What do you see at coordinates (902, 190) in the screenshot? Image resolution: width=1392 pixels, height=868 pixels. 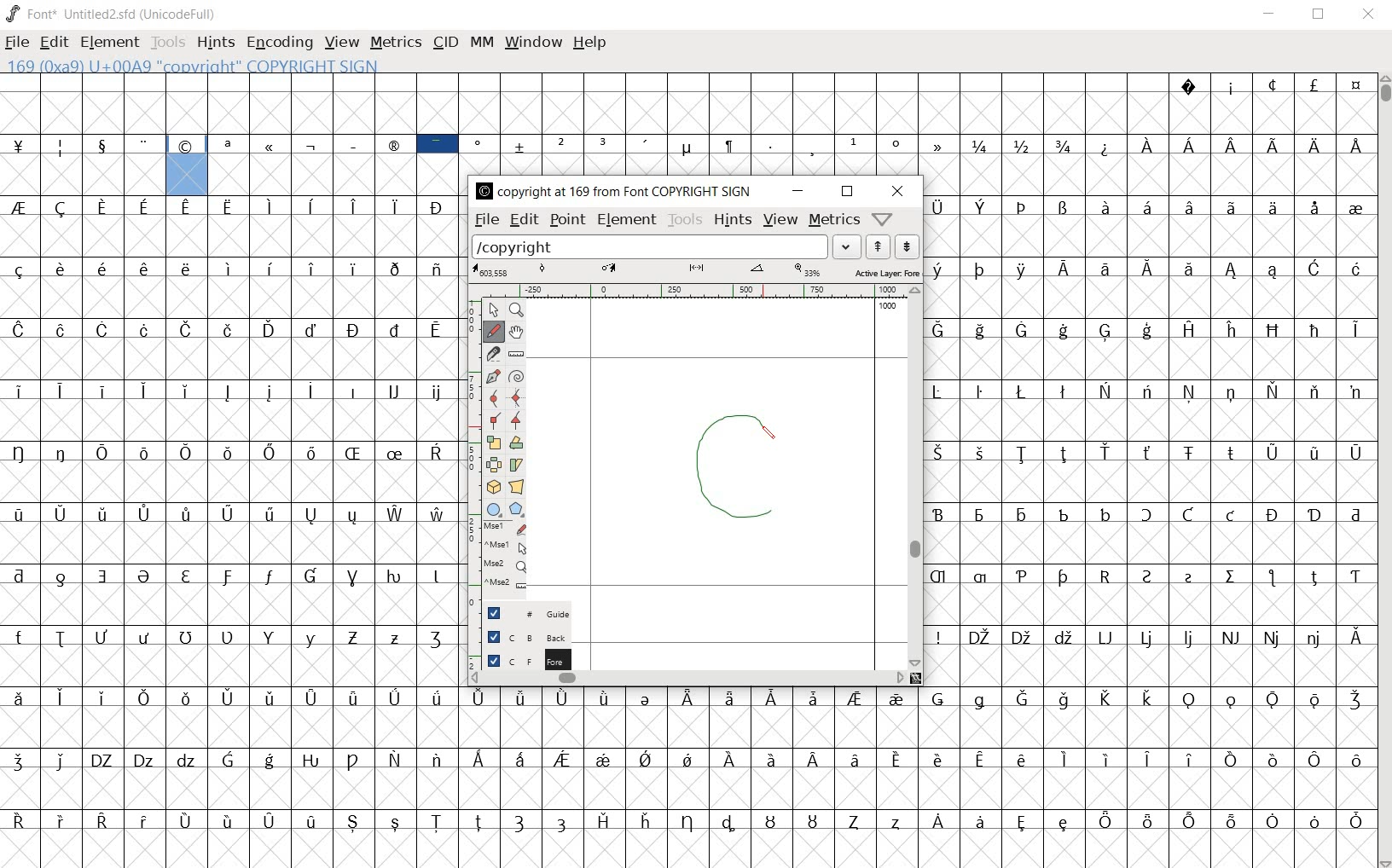 I see `close` at bounding box center [902, 190].